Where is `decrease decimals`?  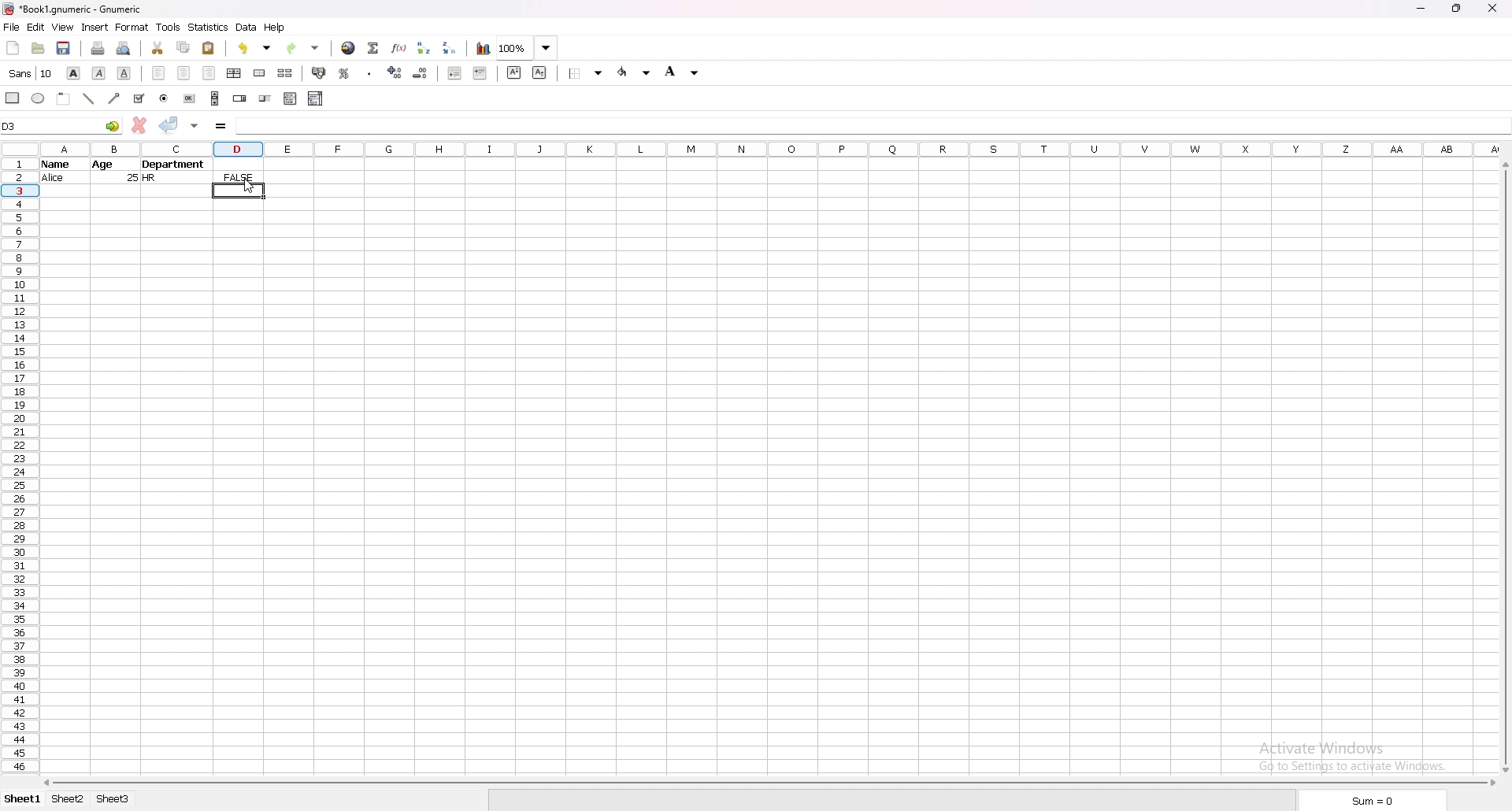 decrease decimals is located at coordinates (421, 72).